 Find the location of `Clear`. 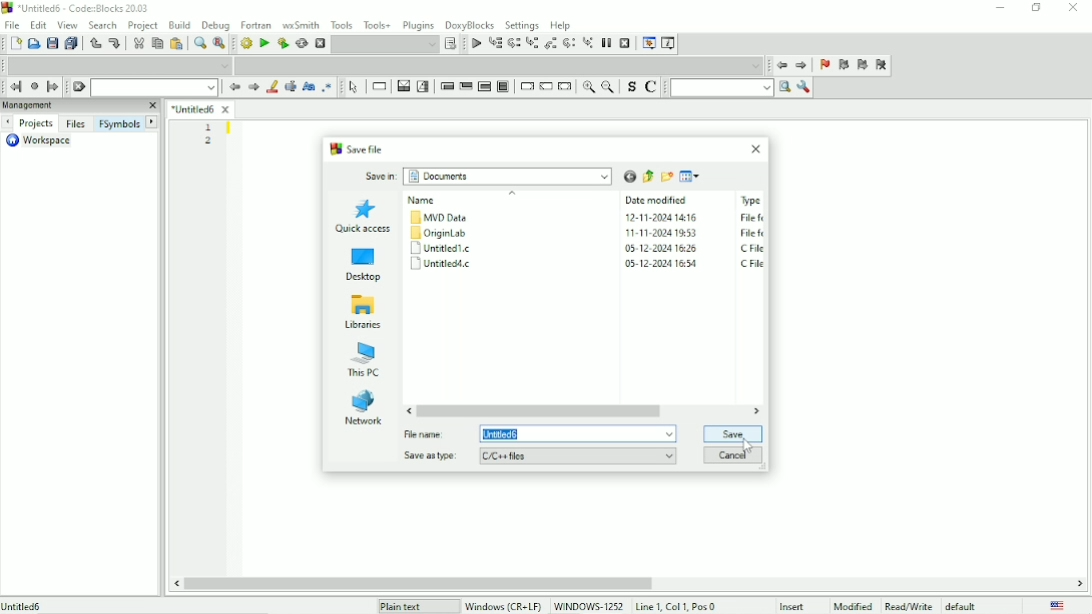

Clear is located at coordinates (79, 87).